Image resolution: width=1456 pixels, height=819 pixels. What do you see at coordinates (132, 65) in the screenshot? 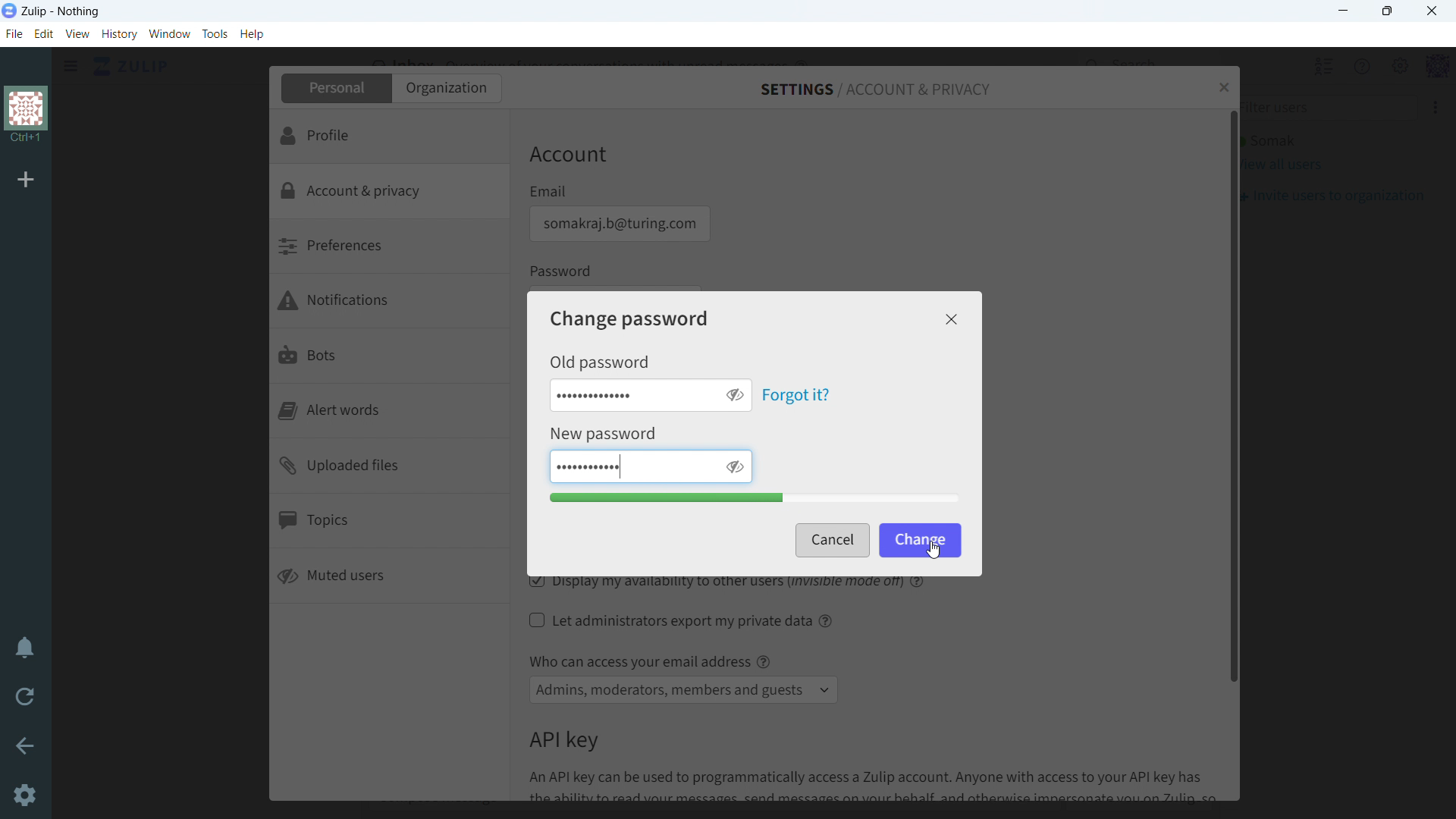
I see `click to go home view (inbox)` at bounding box center [132, 65].